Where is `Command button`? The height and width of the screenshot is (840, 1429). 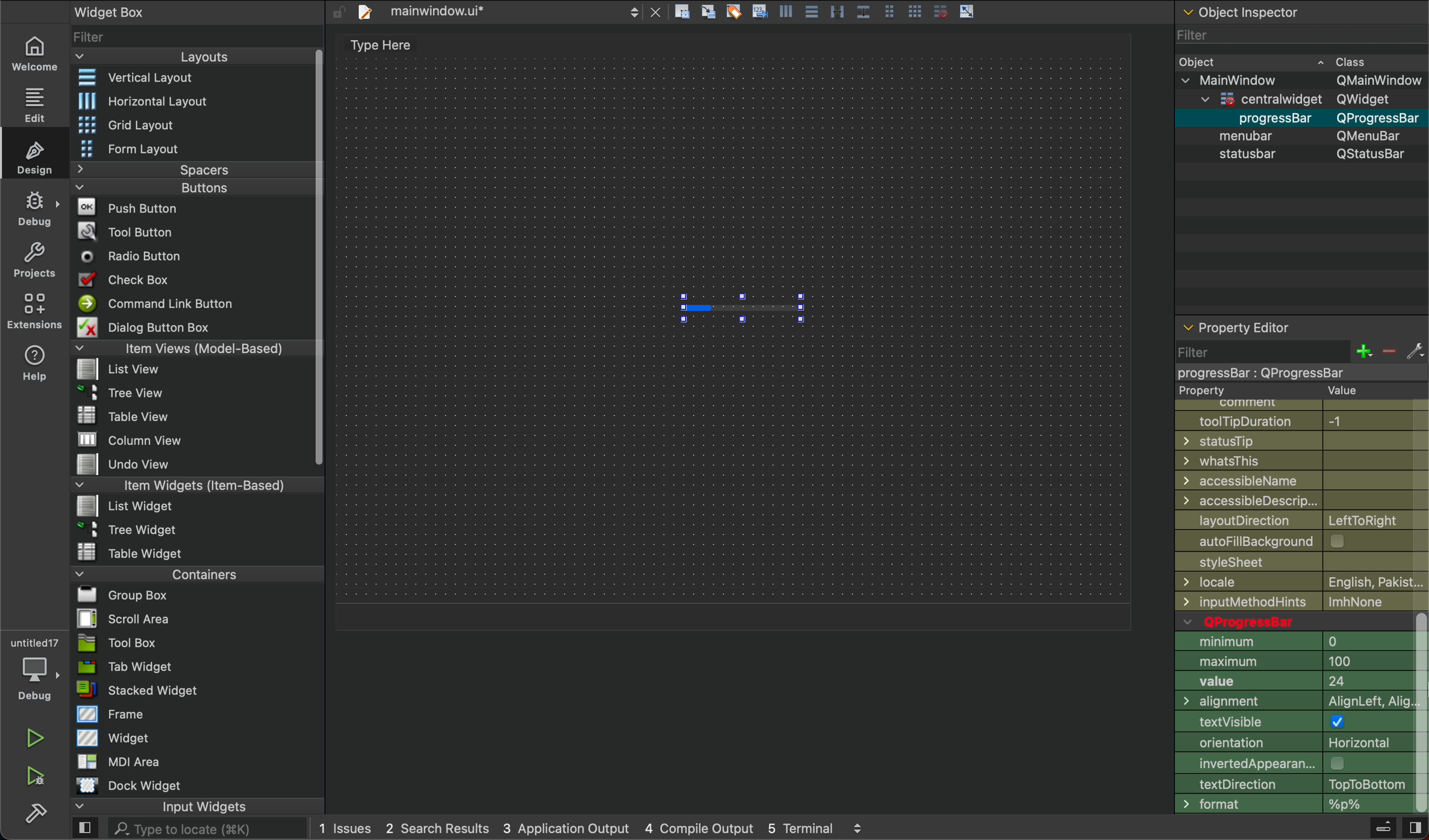
Command button is located at coordinates (161, 303).